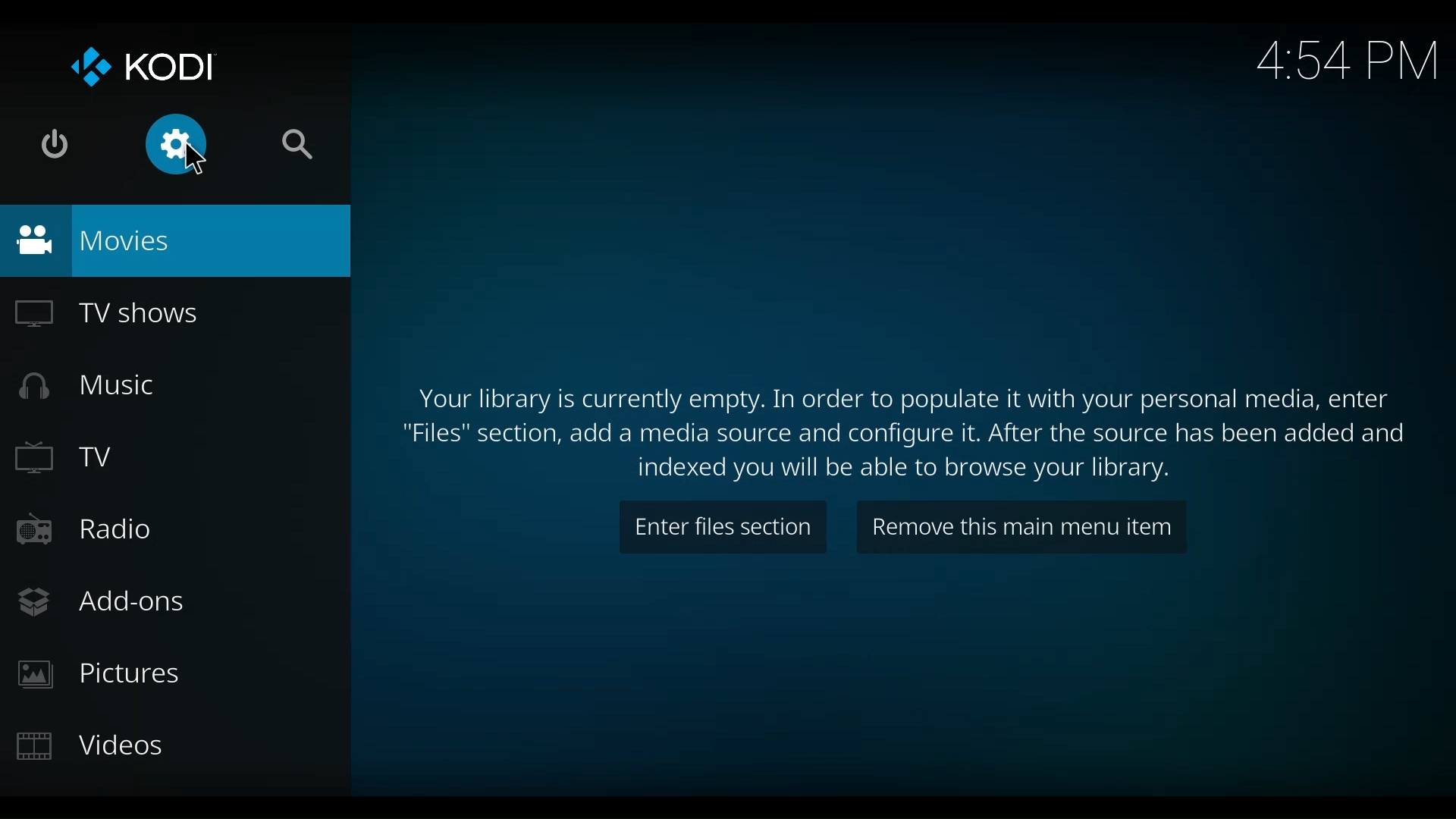  I want to click on cursor, so click(196, 158).